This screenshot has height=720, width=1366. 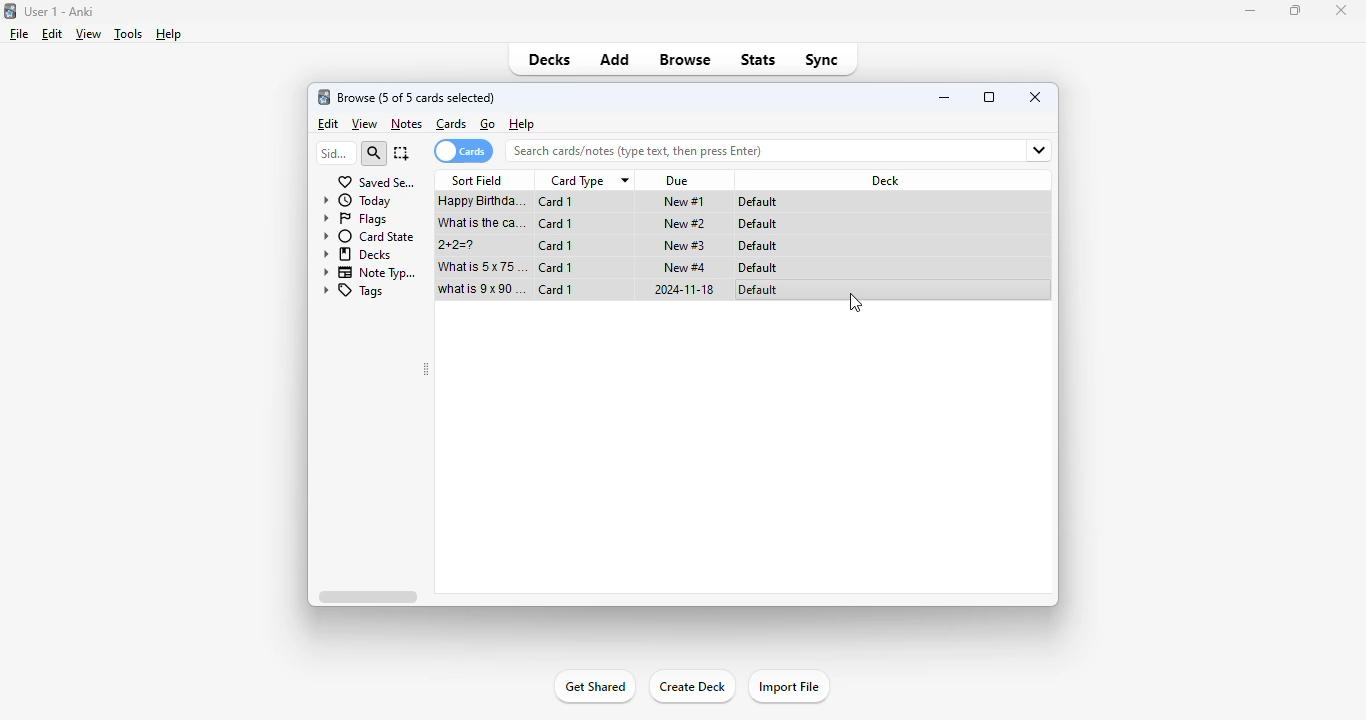 I want to click on close, so click(x=1036, y=96).